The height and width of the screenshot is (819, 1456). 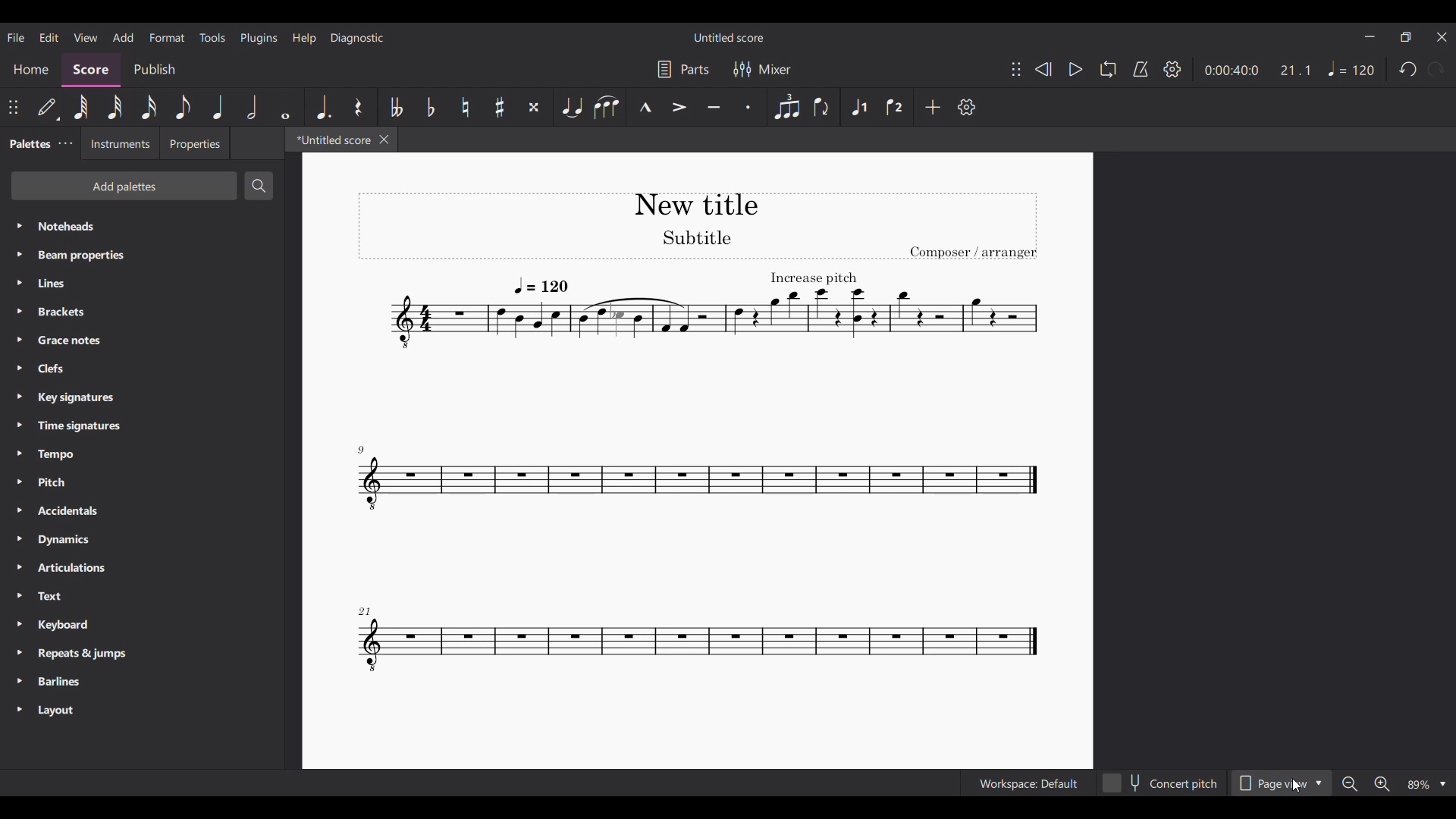 What do you see at coordinates (933, 108) in the screenshot?
I see `Add` at bounding box center [933, 108].